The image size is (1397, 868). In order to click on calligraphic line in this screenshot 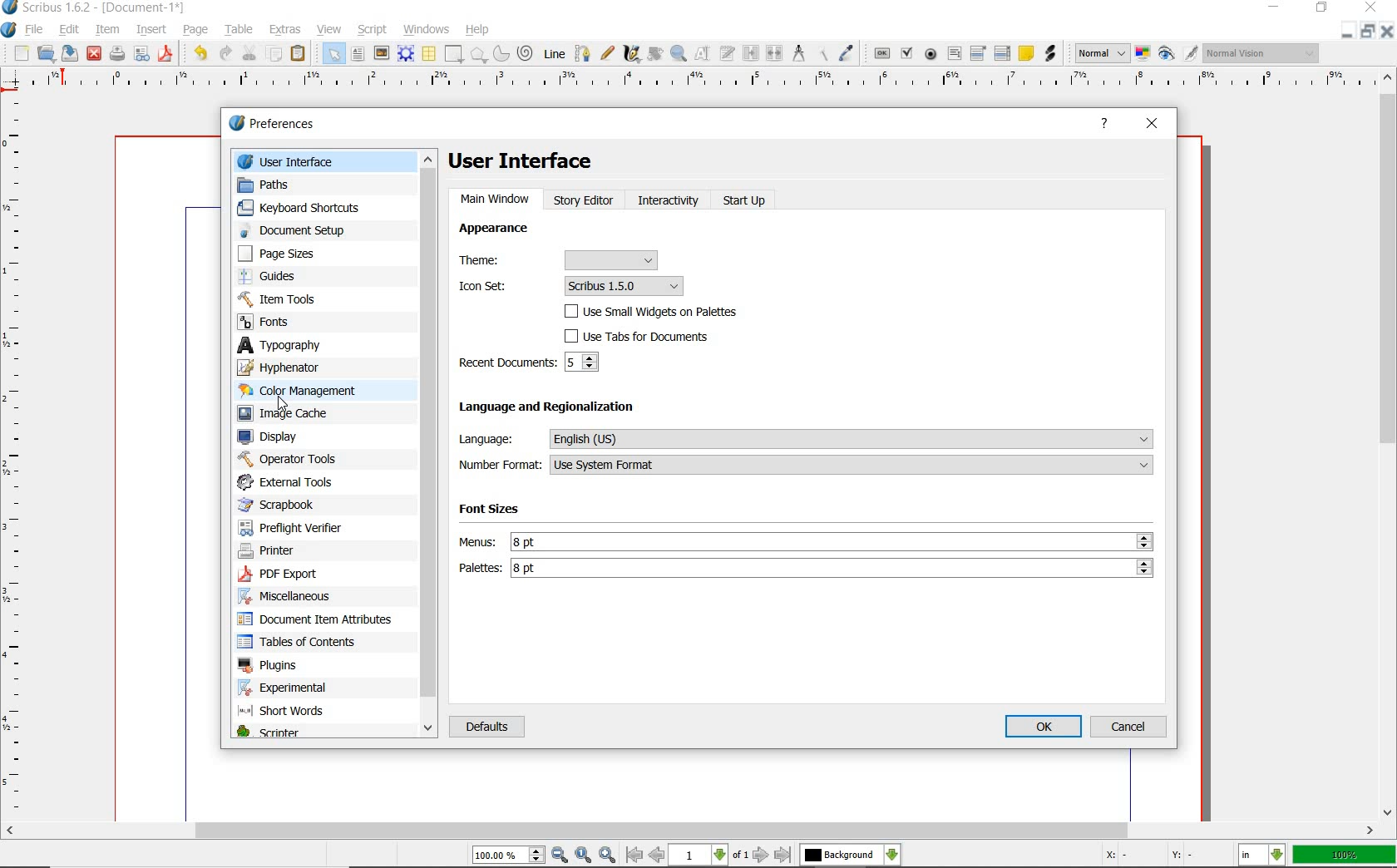, I will do `click(633, 56)`.